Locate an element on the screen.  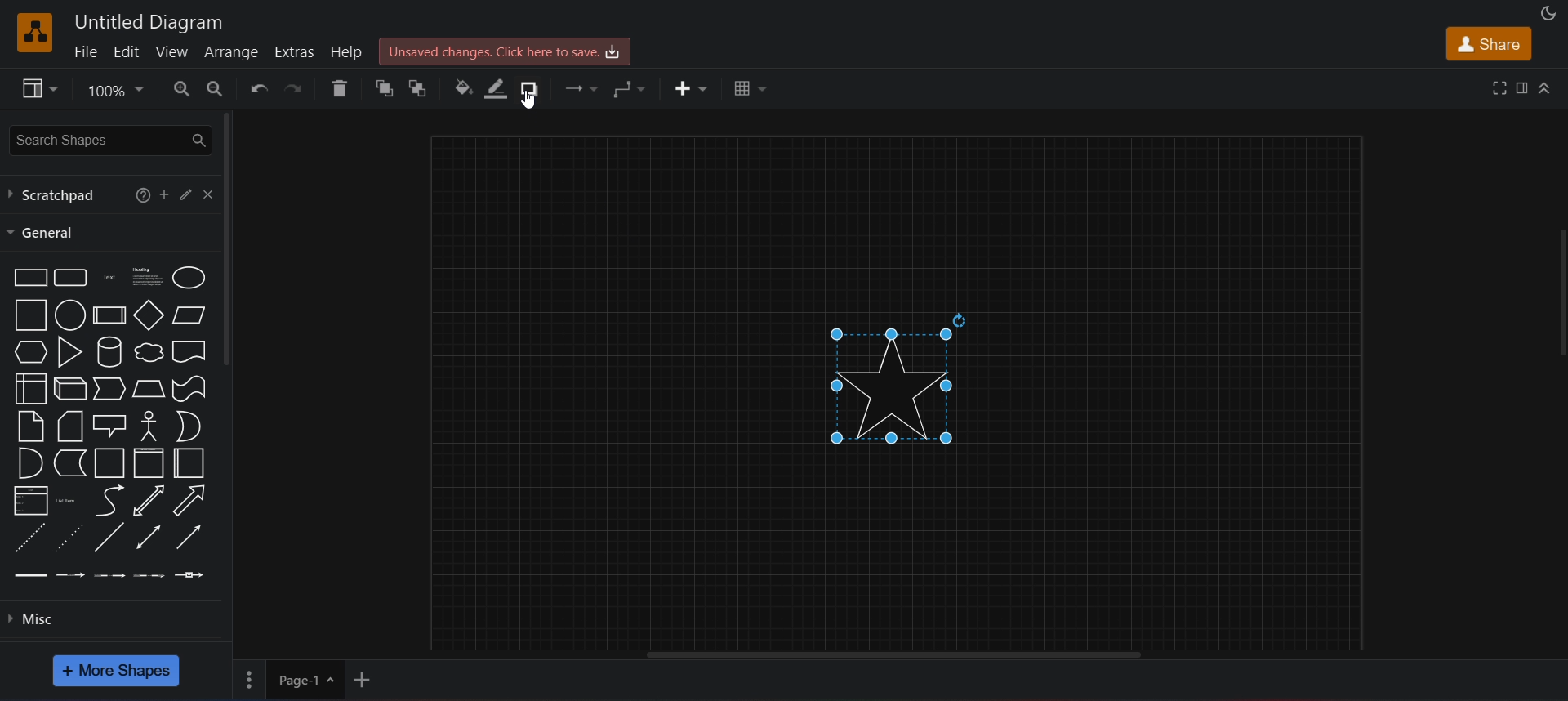
Connector with 2 labels is located at coordinates (109, 574).